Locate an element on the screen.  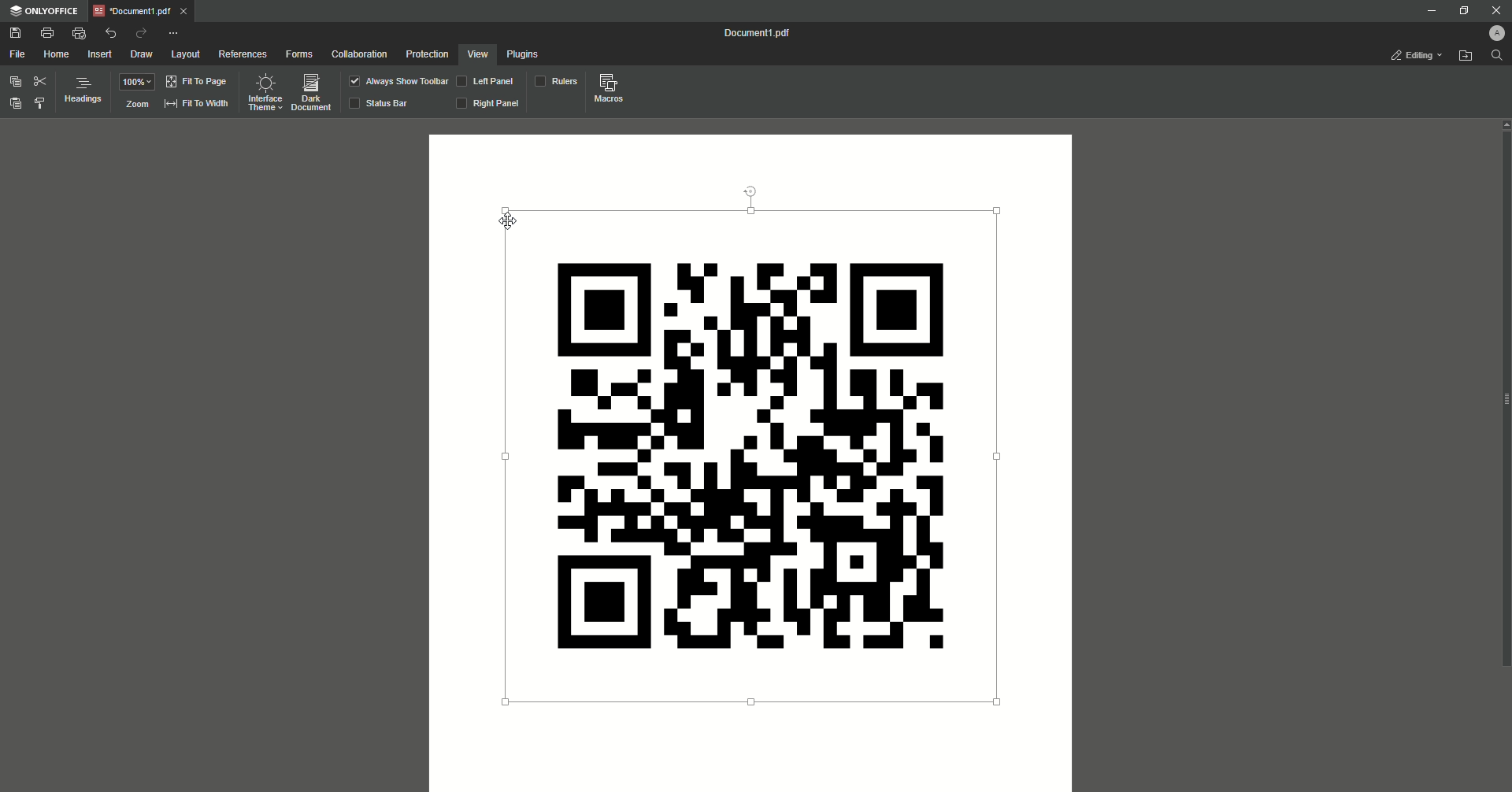
Interface theme is located at coordinates (265, 92).